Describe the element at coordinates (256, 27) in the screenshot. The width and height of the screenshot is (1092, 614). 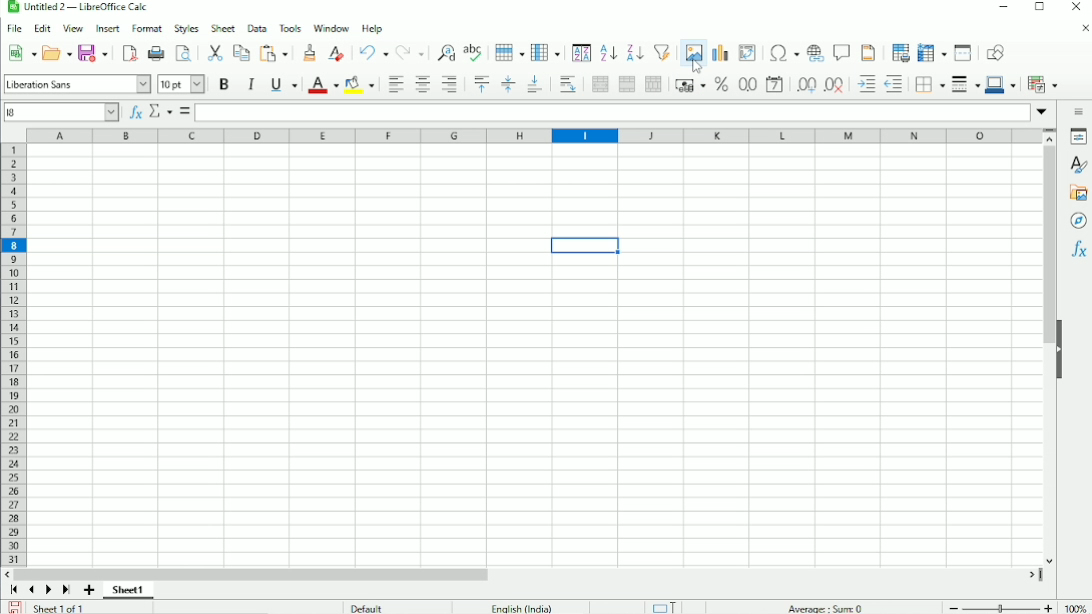
I see `Data` at that location.